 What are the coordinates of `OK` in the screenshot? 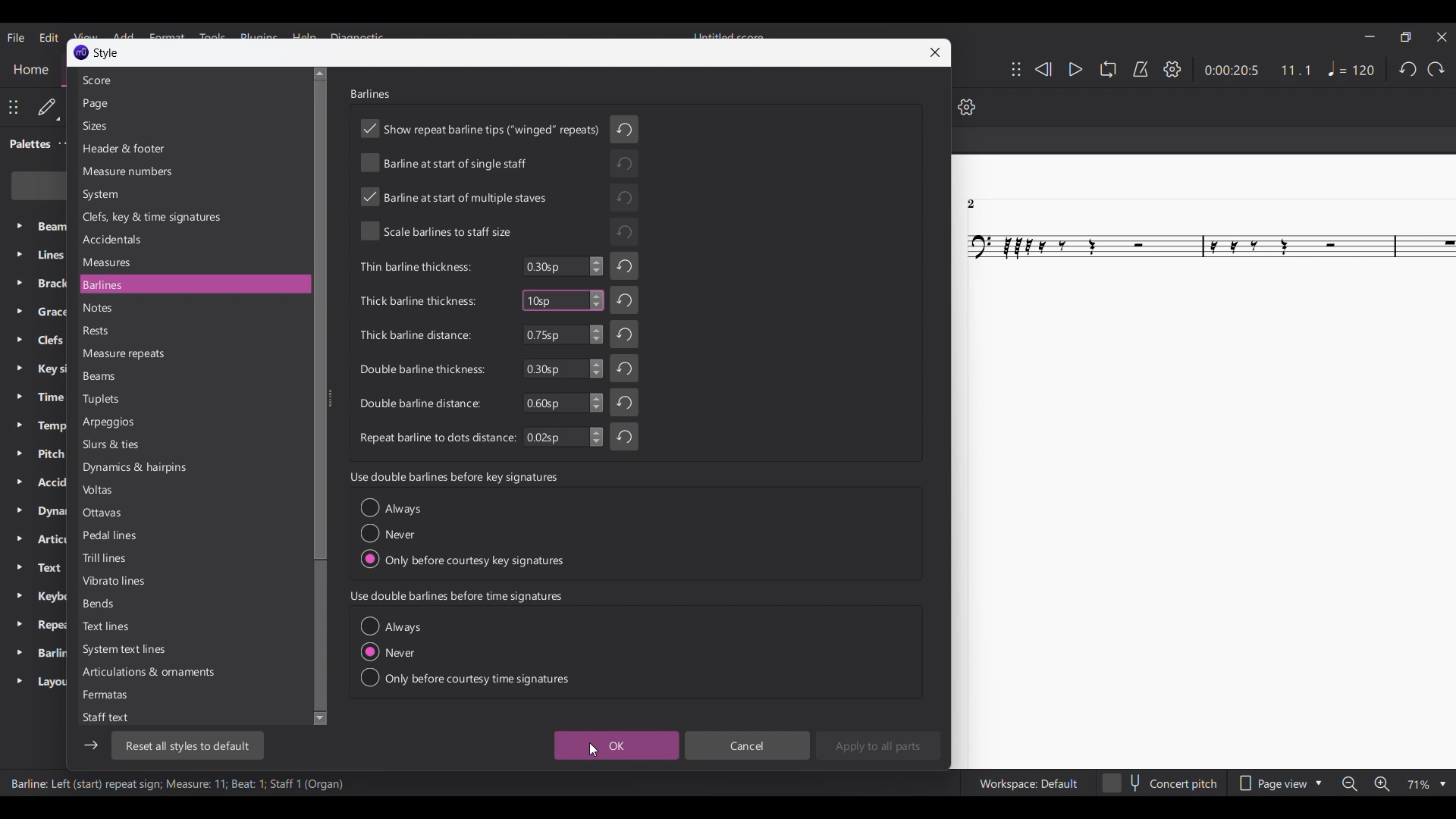 It's located at (617, 745).